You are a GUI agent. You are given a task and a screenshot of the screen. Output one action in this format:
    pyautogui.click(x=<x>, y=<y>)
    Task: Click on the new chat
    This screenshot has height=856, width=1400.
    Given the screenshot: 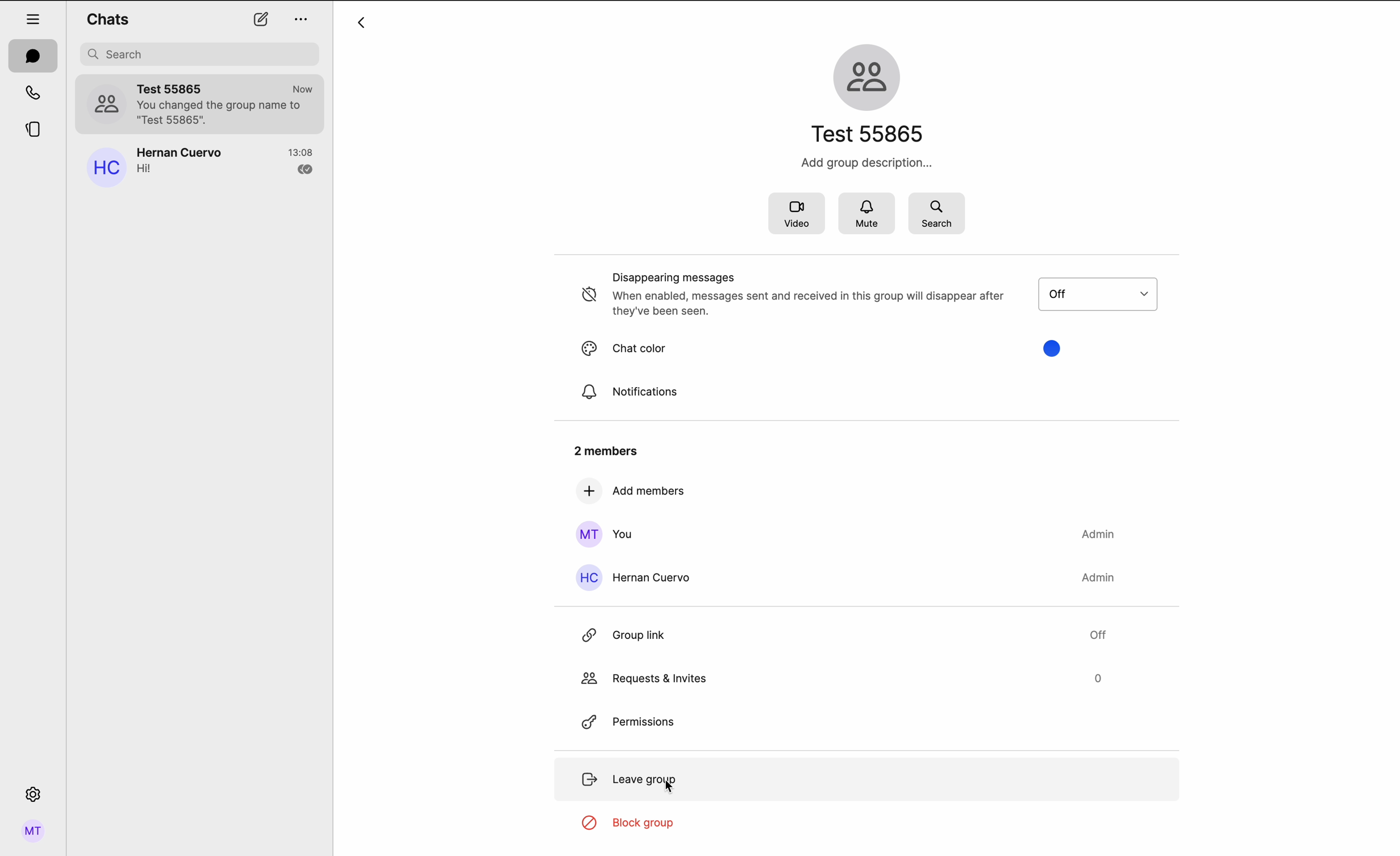 What is the action you would take?
    pyautogui.click(x=261, y=19)
    